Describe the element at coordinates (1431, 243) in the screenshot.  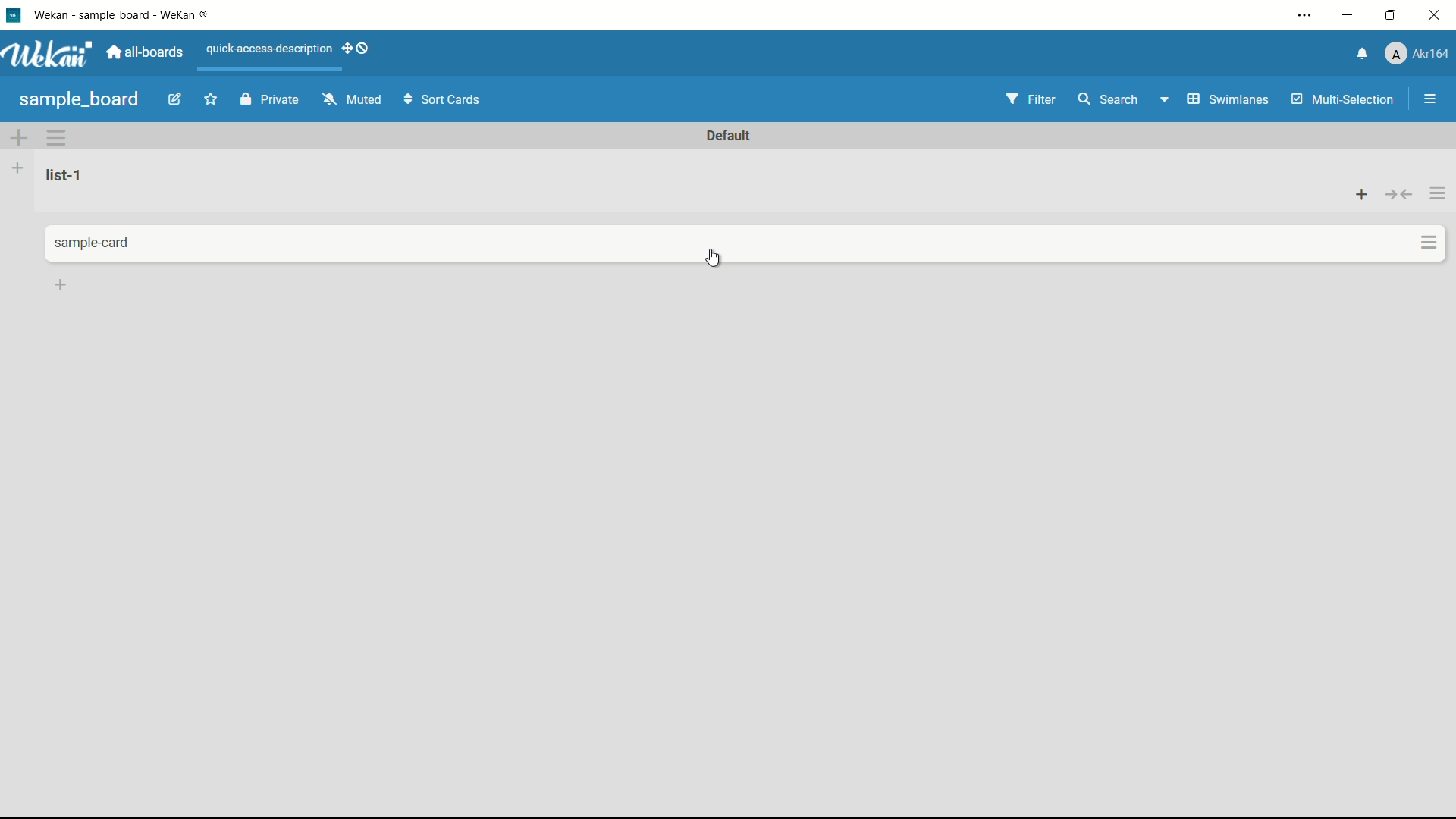
I see `card actions` at that location.